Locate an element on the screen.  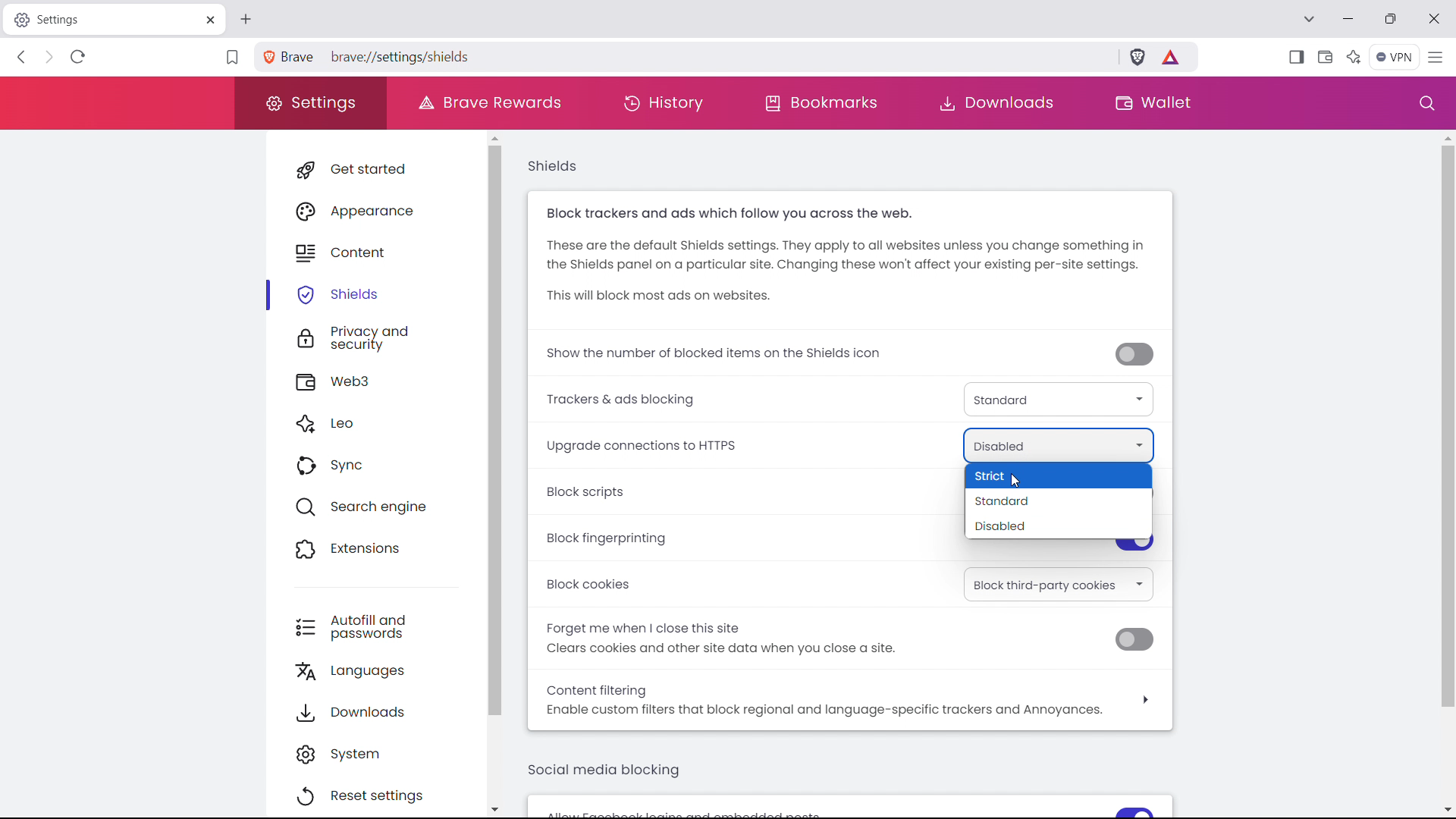
vpn is located at coordinates (1394, 58).